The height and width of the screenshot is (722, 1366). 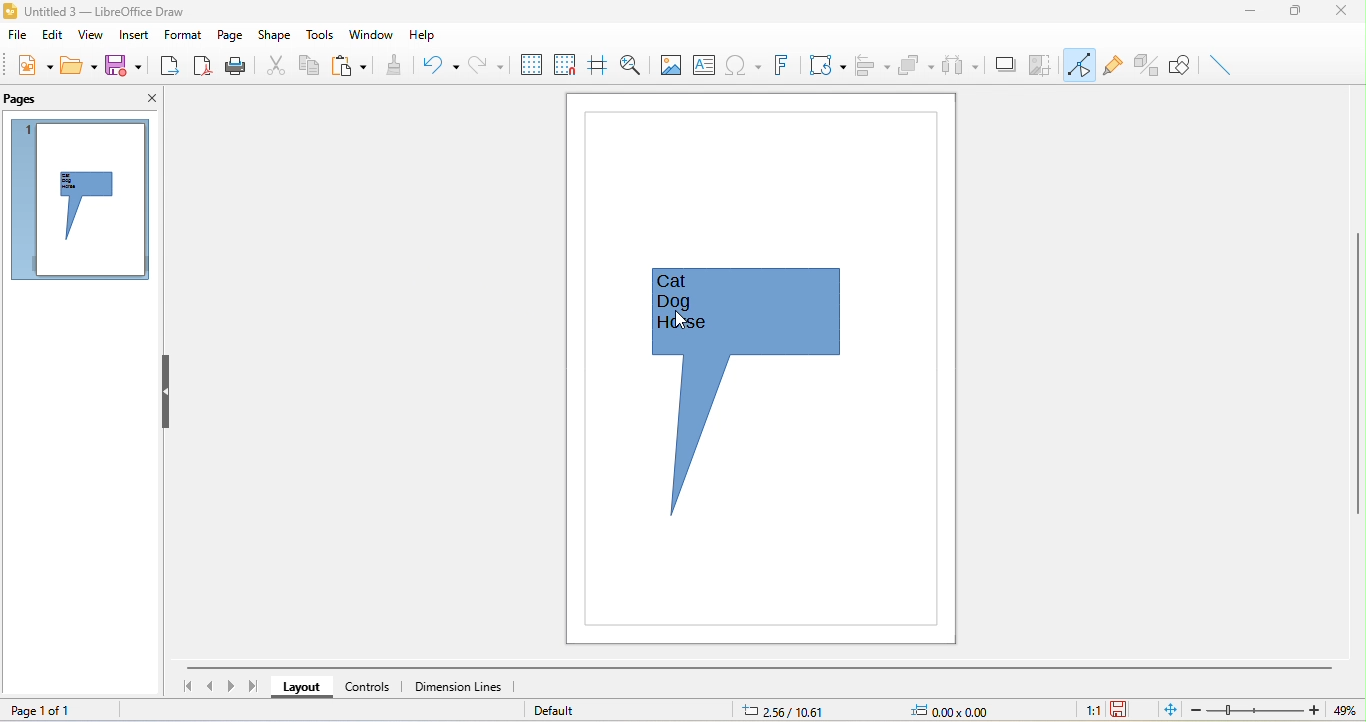 What do you see at coordinates (1004, 68) in the screenshot?
I see `shadow` at bounding box center [1004, 68].